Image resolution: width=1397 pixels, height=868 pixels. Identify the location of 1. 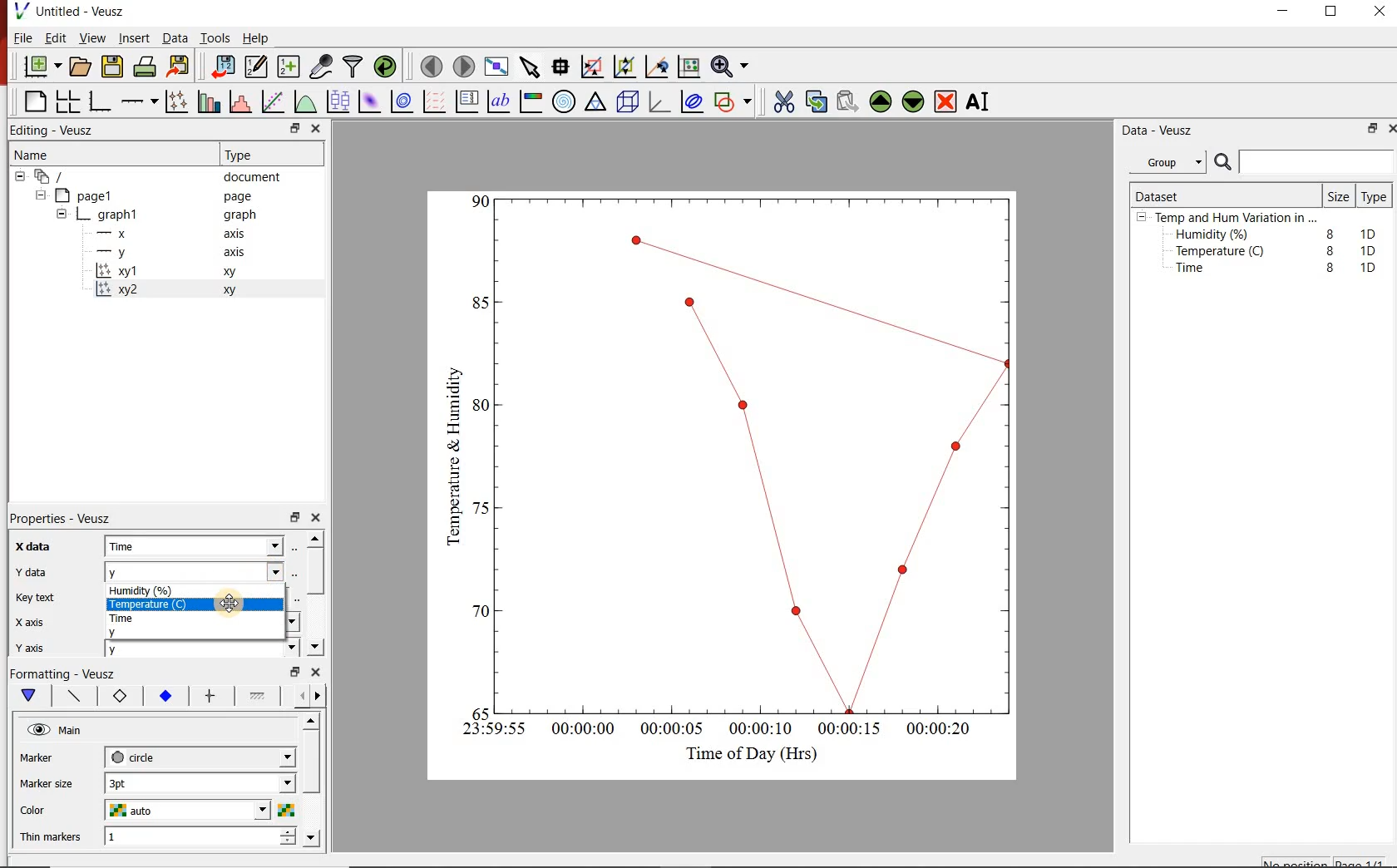
(160, 838).